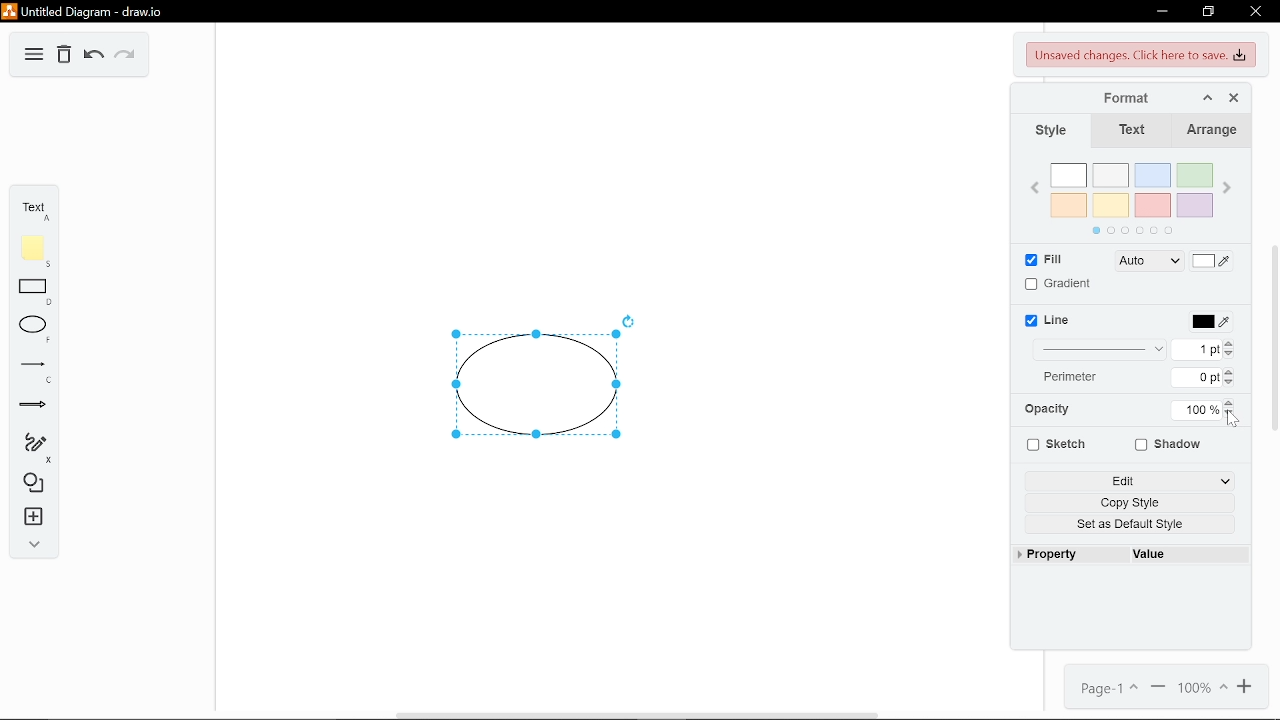 The height and width of the screenshot is (720, 1280). Describe the element at coordinates (1100, 95) in the screenshot. I see `Format` at that location.